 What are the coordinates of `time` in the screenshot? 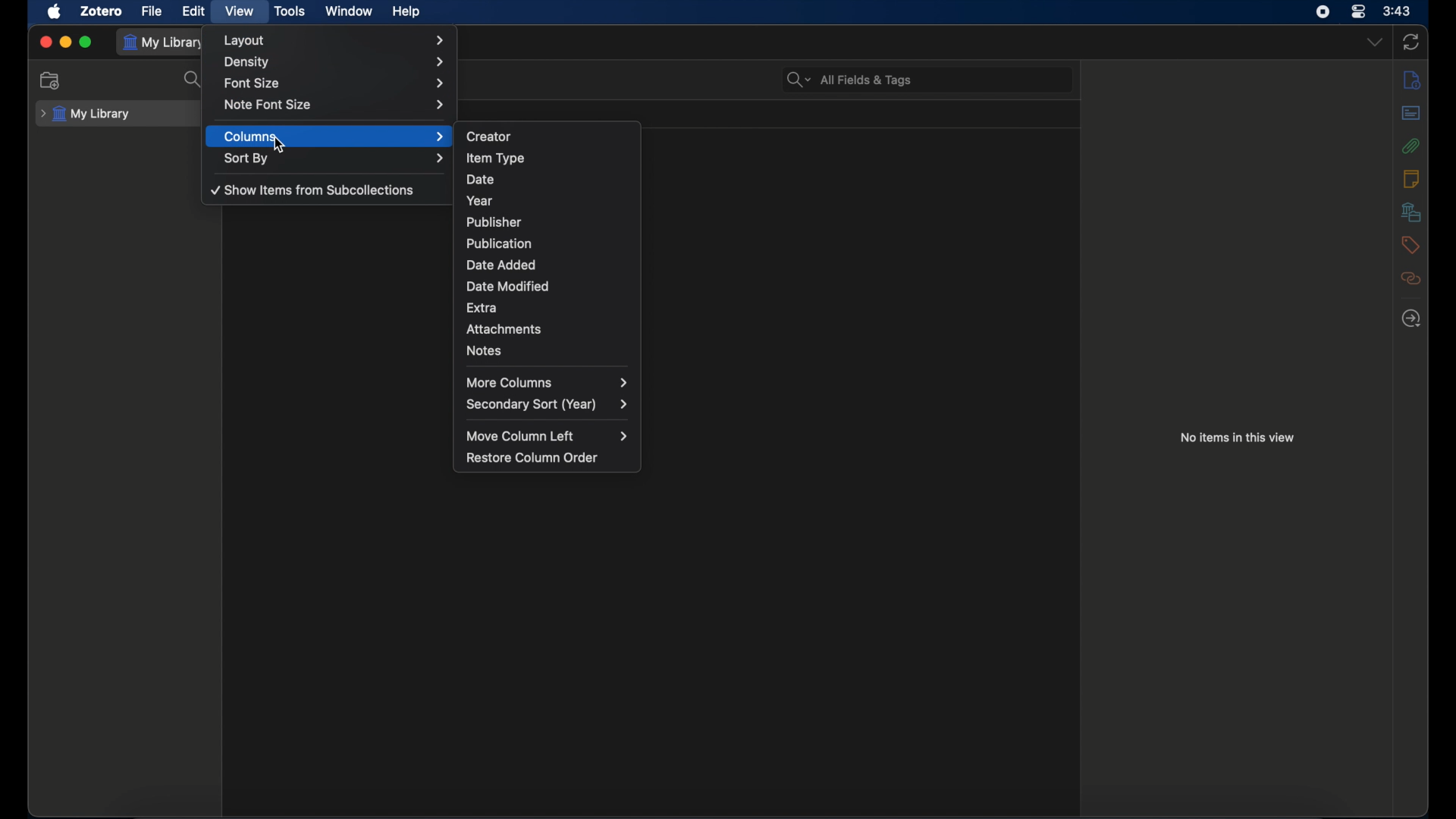 It's located at (1397, 11).